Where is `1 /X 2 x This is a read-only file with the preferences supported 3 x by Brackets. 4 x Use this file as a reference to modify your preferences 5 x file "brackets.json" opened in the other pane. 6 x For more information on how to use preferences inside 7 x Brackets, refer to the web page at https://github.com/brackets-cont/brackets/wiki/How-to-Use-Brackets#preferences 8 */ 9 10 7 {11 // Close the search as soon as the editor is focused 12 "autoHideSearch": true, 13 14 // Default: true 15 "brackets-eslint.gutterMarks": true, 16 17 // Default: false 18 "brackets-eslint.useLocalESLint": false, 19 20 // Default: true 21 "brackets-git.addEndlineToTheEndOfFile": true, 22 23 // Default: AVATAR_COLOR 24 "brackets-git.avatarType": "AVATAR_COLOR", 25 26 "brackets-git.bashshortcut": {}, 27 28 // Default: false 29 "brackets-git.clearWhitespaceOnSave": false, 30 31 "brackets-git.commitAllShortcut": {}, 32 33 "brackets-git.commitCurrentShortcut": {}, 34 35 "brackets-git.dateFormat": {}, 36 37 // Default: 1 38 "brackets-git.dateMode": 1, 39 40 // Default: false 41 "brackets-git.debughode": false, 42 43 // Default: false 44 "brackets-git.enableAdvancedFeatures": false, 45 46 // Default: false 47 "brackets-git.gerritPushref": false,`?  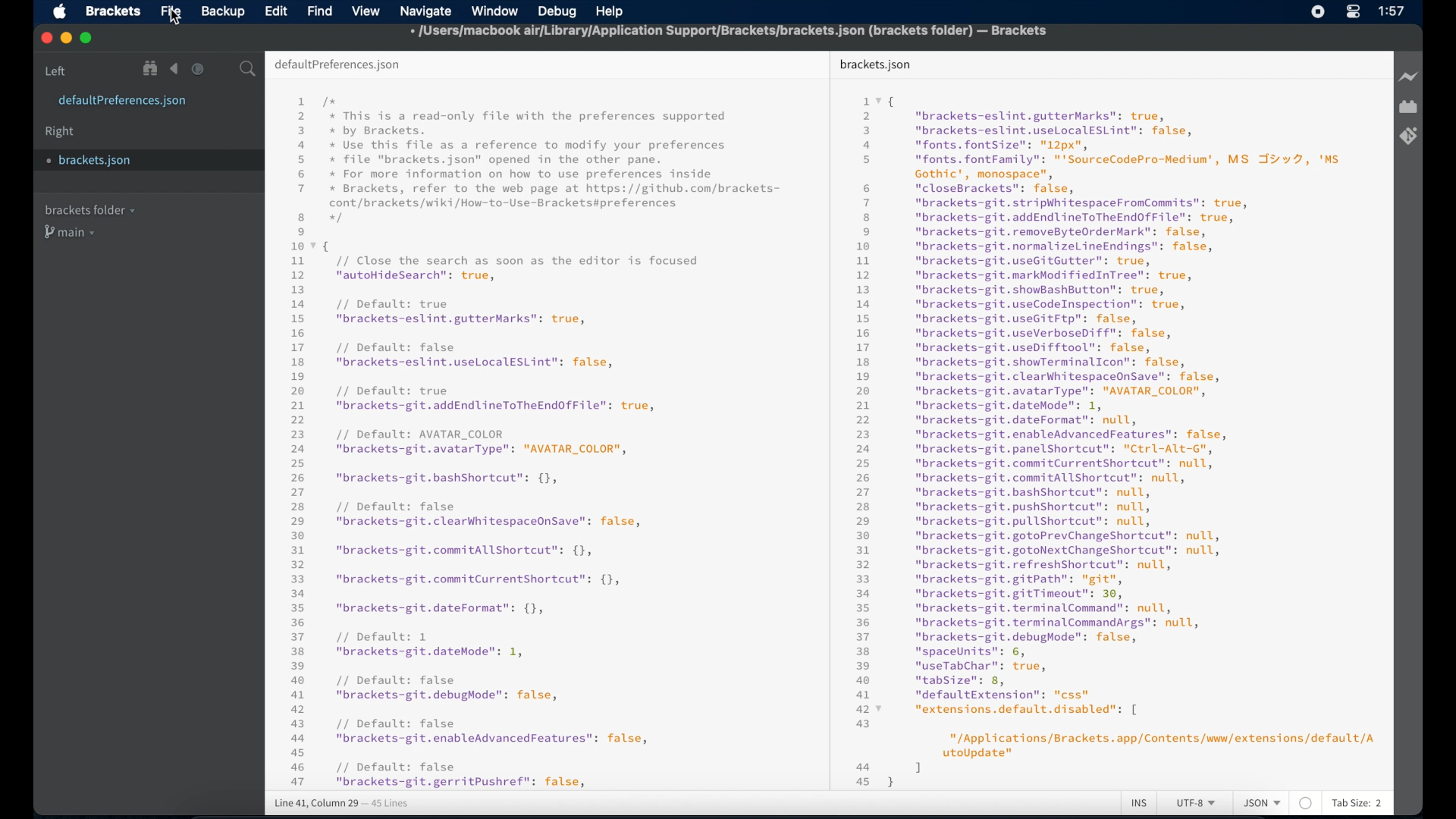 1 /X 2 x This is a read-only file with the preferences supported 3 x by Brackets. 4 x Use this file as a reference to modify your preferences 5 x file "brackets.json" opened in the other pane. 6 x For more information on how to use preferences inside 7 x Brackets, refer to the web page at https://github.com/brackets-cont/brackets/wiki/How-to-Use-Brackets#preferences 8 */ 9 10 7 {11 // Close the search as soon as the editor is focused 12 "autoHideSearch": true, 13 14 // Default: true 15 "brackets-eslint.gutterMarks": true, 16 17 // Default: false 18 "brackets-eslint.useLocalESLint": false, 19 20 // Default: true 21 "brackets-git.addEndlineToTheEndOfFile": true, 22 23 // Default: AVATAR_COLOR 24 "brackets-git.avatarType": "AVATAR_COLOR", 25 26 "brackets-git.bashshortcut": {}, 27 28 // Default: false 29 "brackets-git.clearWhitespaceOnSave": false, 30 31 "brackets-git.commitAllShortcut": {}, 32 33 "brackets-git.commitCurrentShortcut": {}, 34 35 "brackets-git.dateFormat": {}, 36 37 // Default: 1 38 "brackets-git.dateMode": 1, 39 40 // Default: false 41 "brackets-git.debughode": false, 42 43 // Default: false 44 "brackets-git.enableAdvancedFeatures": false, 45 46 // Default: false 47 "brackets-git.gerritPushref": false, is located at coordinates (544, 442).